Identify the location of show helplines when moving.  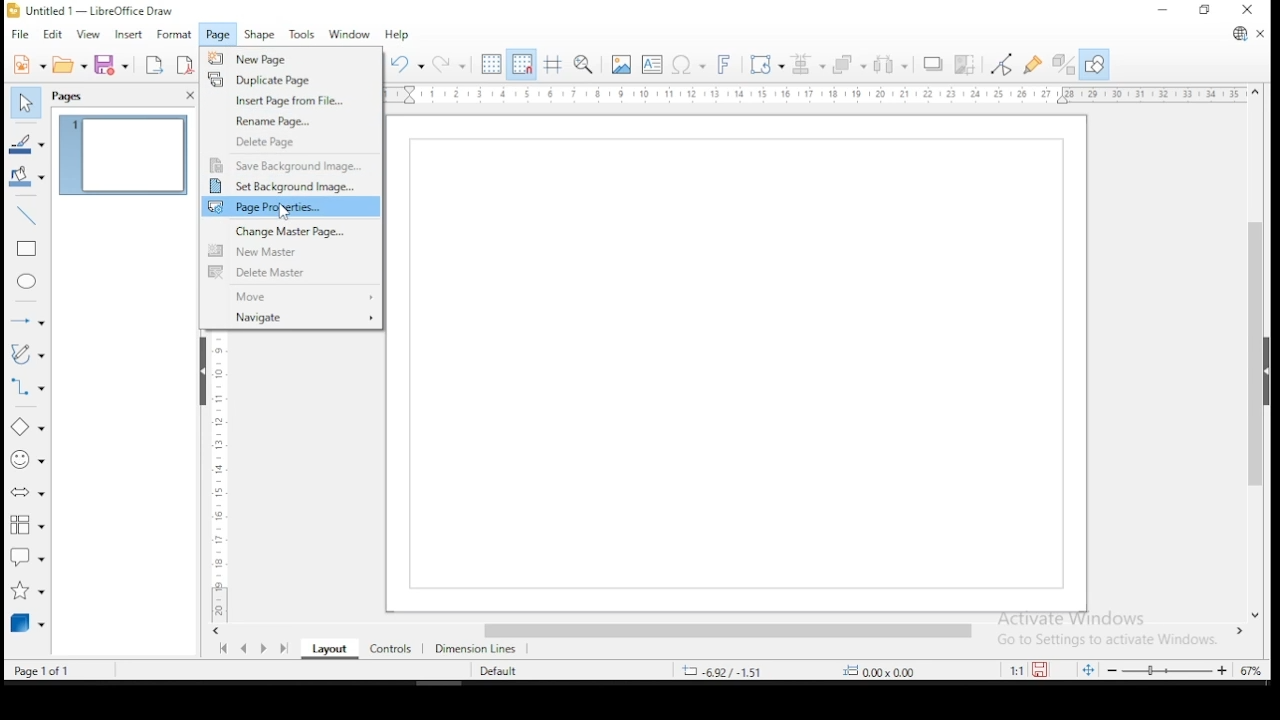
(555, 64).